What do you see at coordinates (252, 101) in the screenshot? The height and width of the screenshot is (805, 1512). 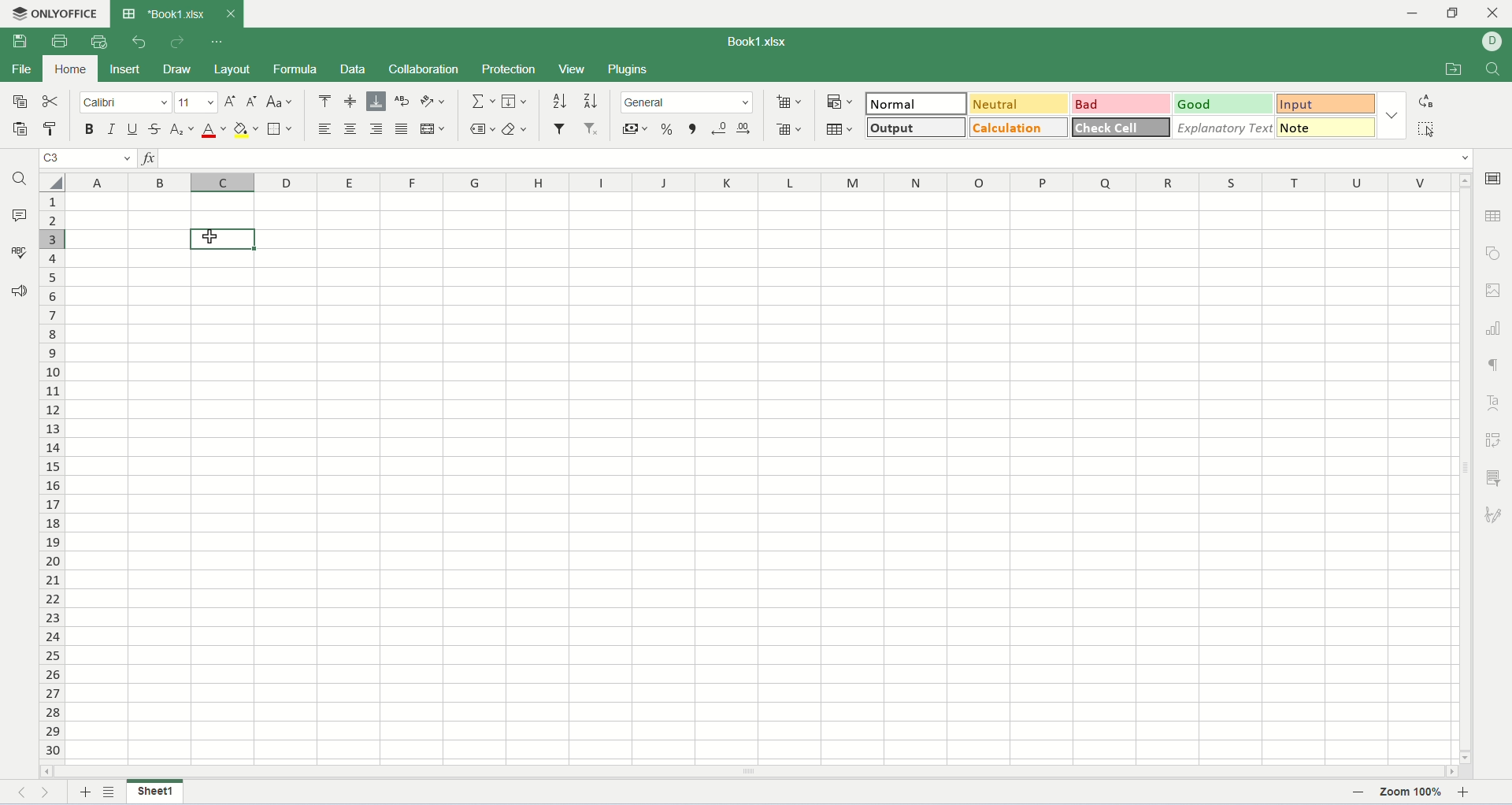 I see `decrease font size` at bounding box center [252, 101].